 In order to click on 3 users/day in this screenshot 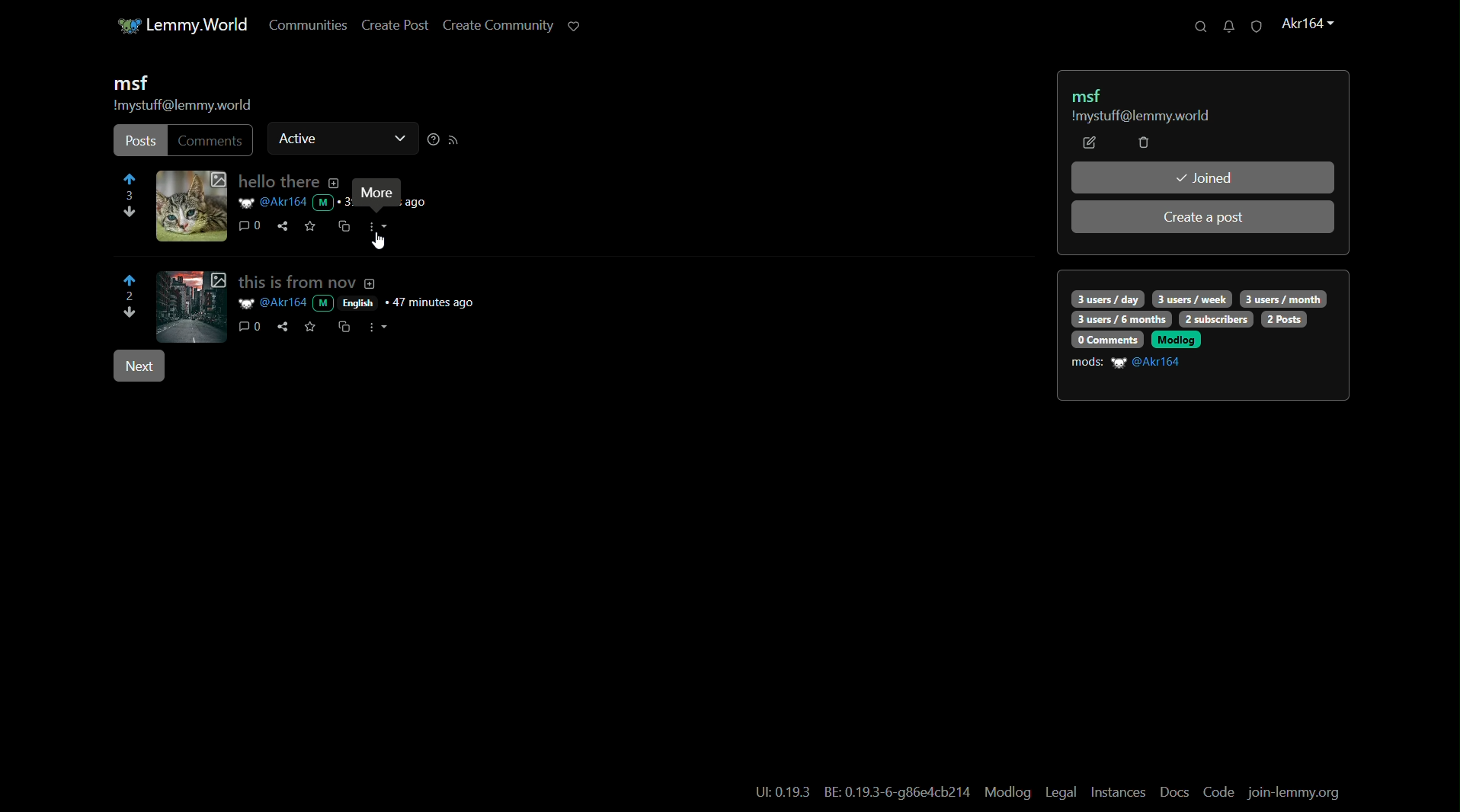, I will do `click(1106, 299)`.